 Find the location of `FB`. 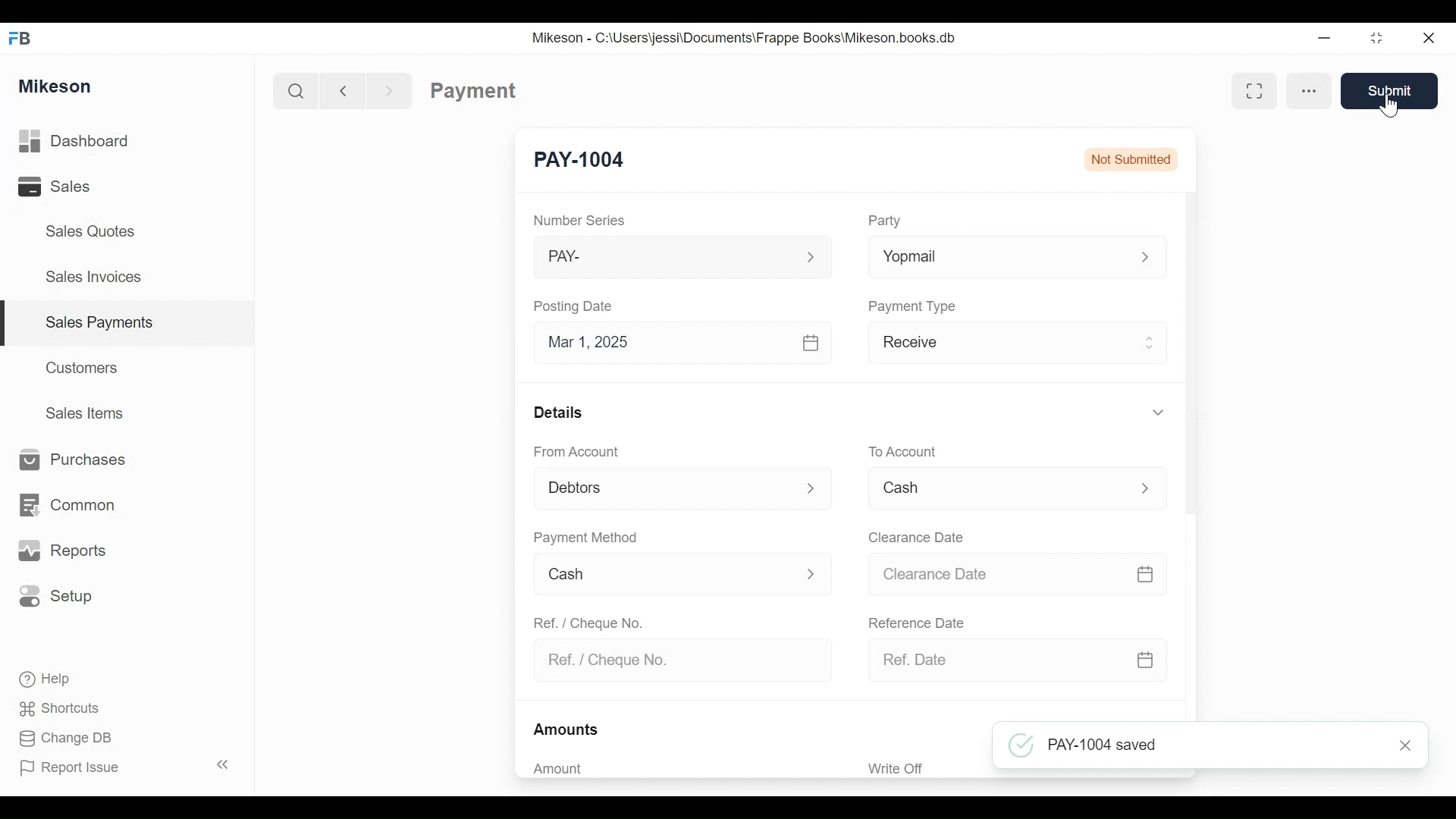

FB is located at coordinates (24, 36).